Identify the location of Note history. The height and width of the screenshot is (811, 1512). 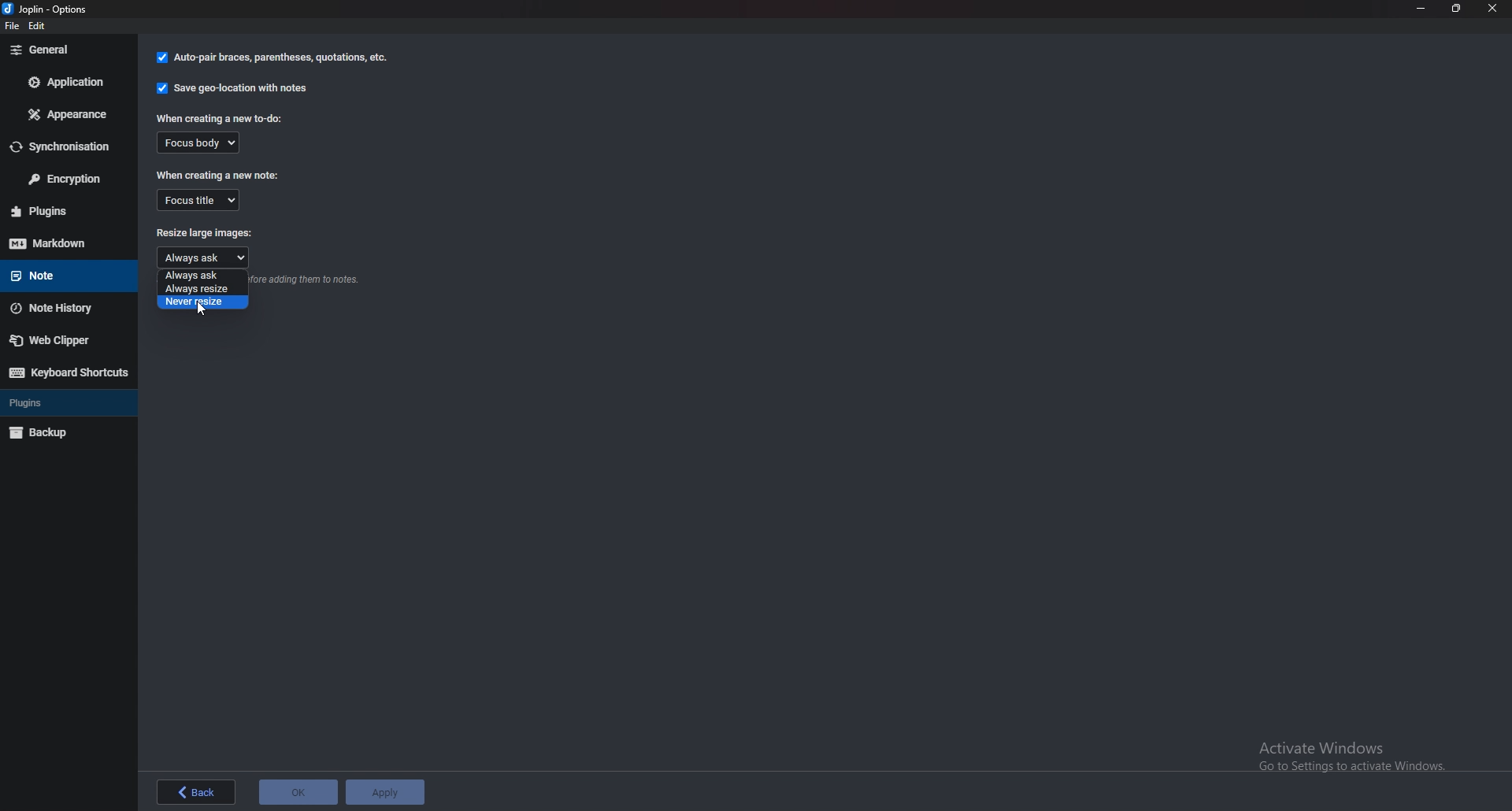
(62, 309).